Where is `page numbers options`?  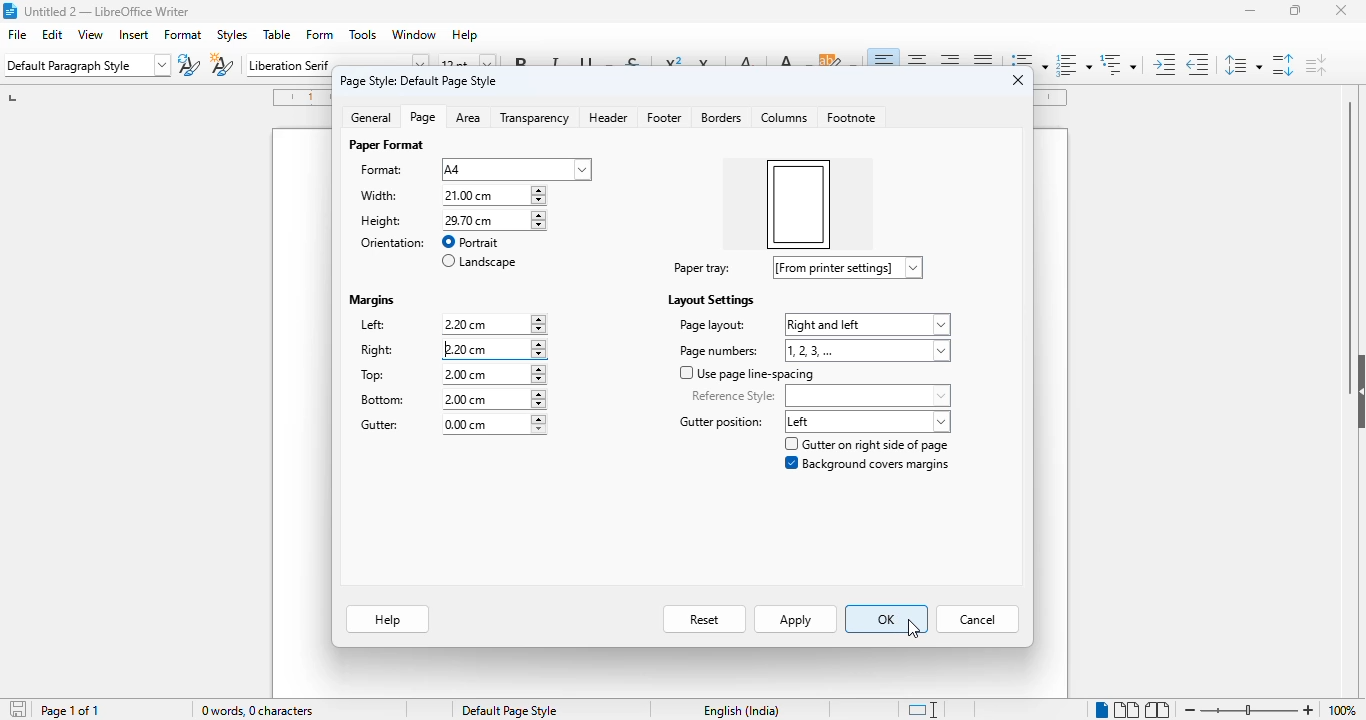
page numbers options is located at coordinates (867, 351).